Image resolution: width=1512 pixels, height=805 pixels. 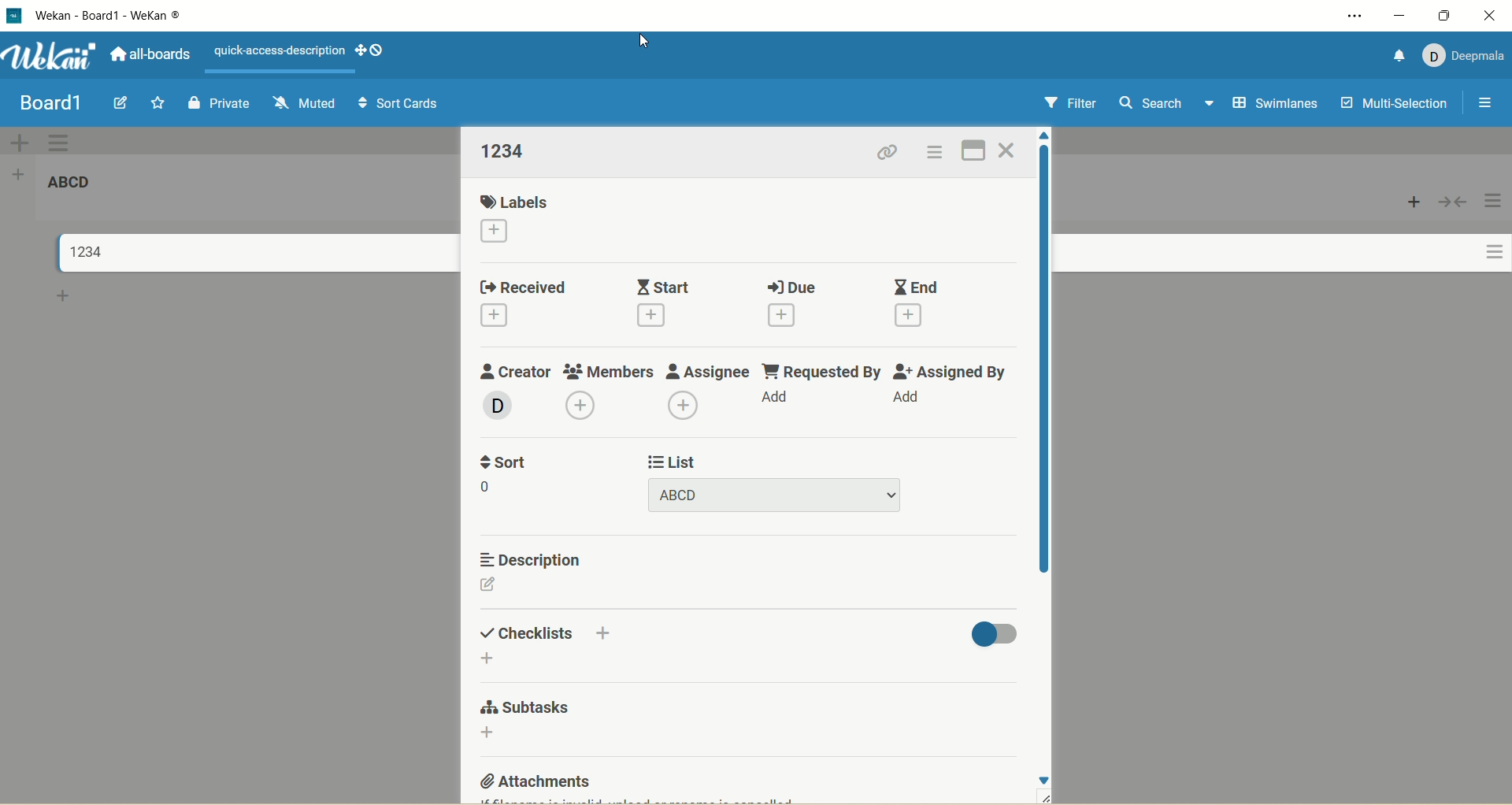 What do you see at coordinates (680, 406) in the screenshot?
I see `add` at bounding box center [680, 406].